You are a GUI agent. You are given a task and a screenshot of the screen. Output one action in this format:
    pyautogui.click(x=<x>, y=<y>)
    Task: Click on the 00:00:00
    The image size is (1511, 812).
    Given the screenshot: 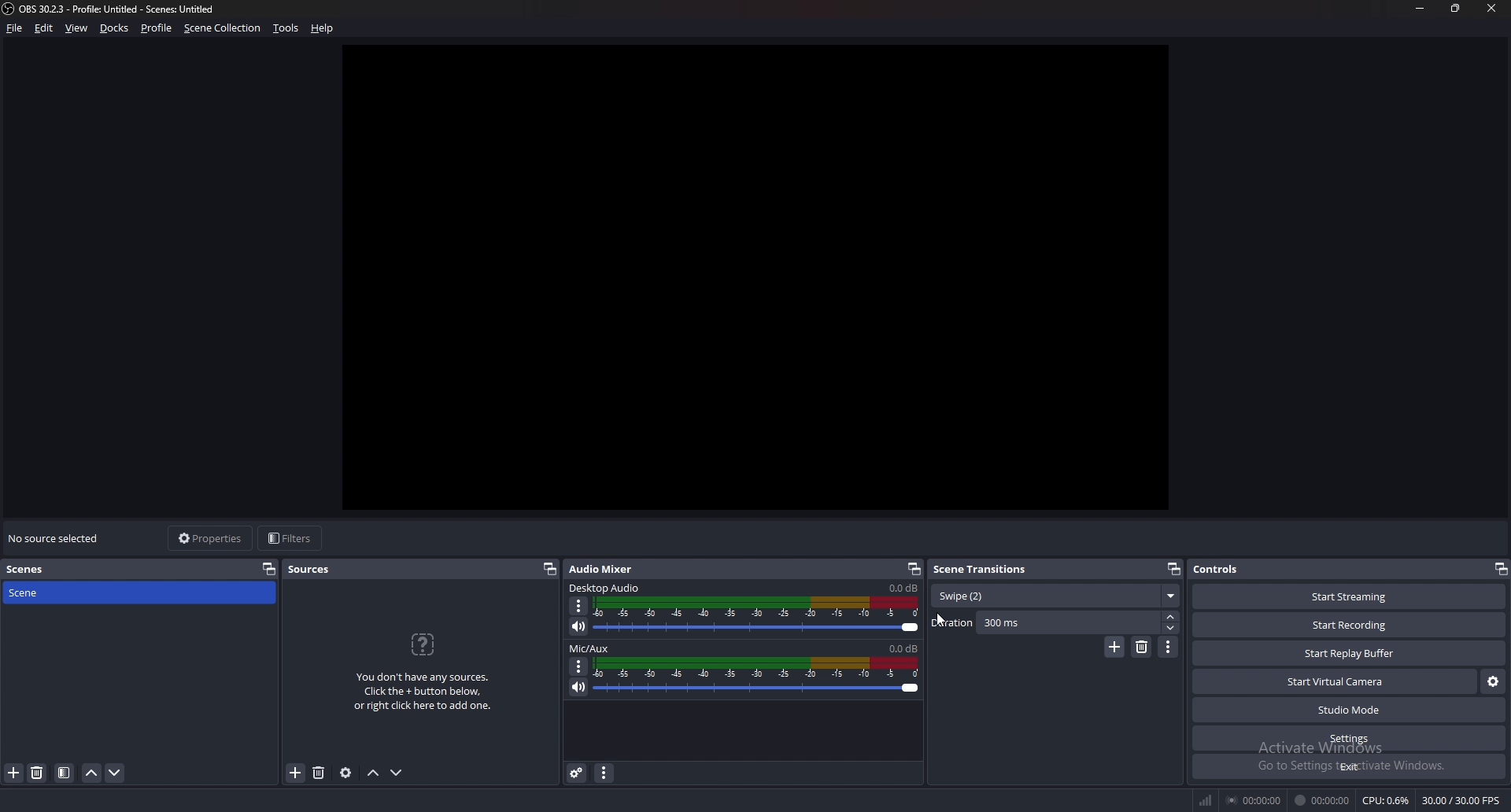 What is the action you would take?
    pyautogui.click(x=1254, y=801)
    